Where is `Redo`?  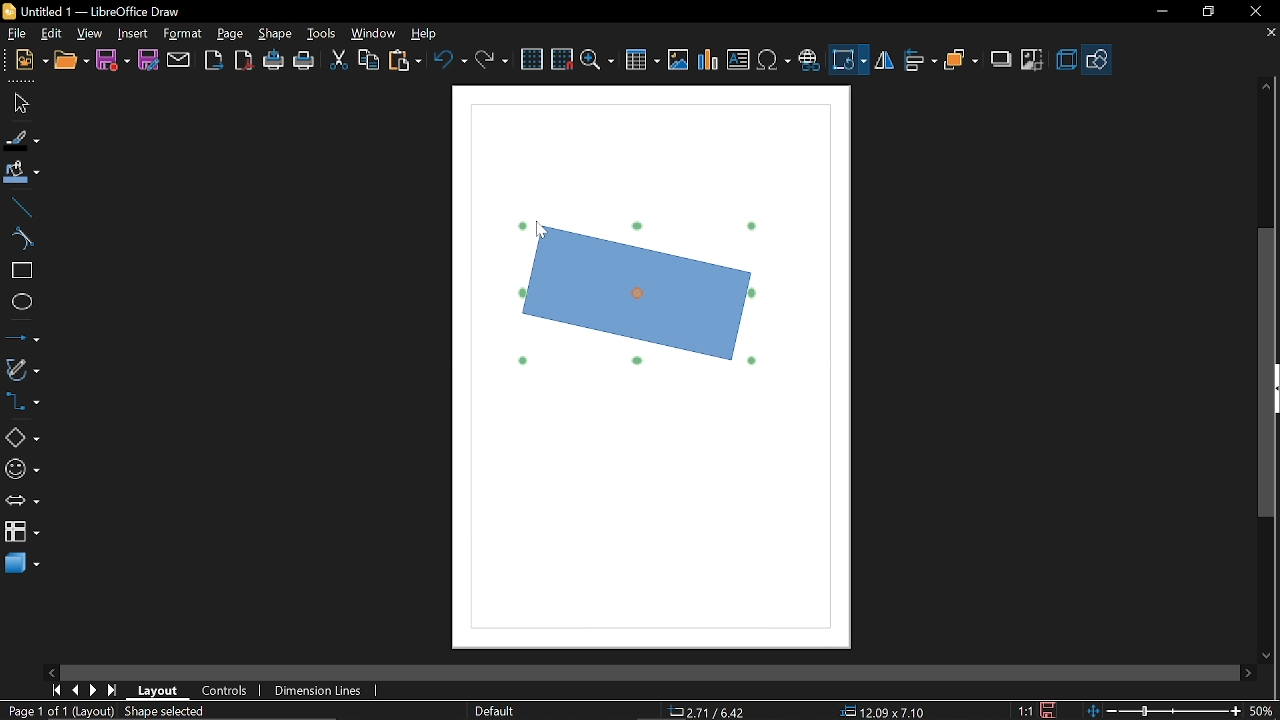
Redo is located at coordinates (490, 59).